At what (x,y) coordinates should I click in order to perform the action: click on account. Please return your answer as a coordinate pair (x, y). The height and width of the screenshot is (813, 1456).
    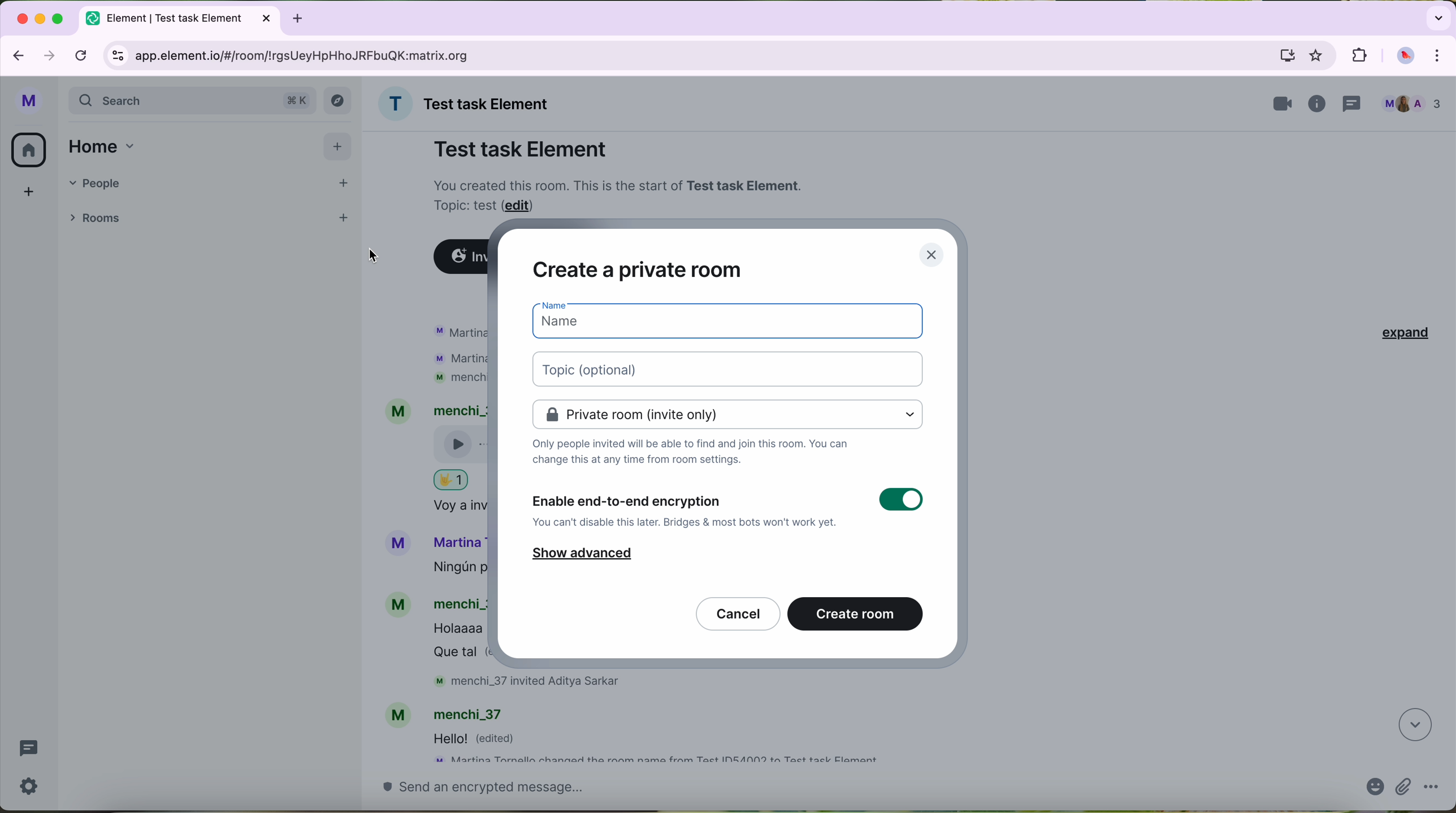
    Looking at the image, I should click on (453, 712).